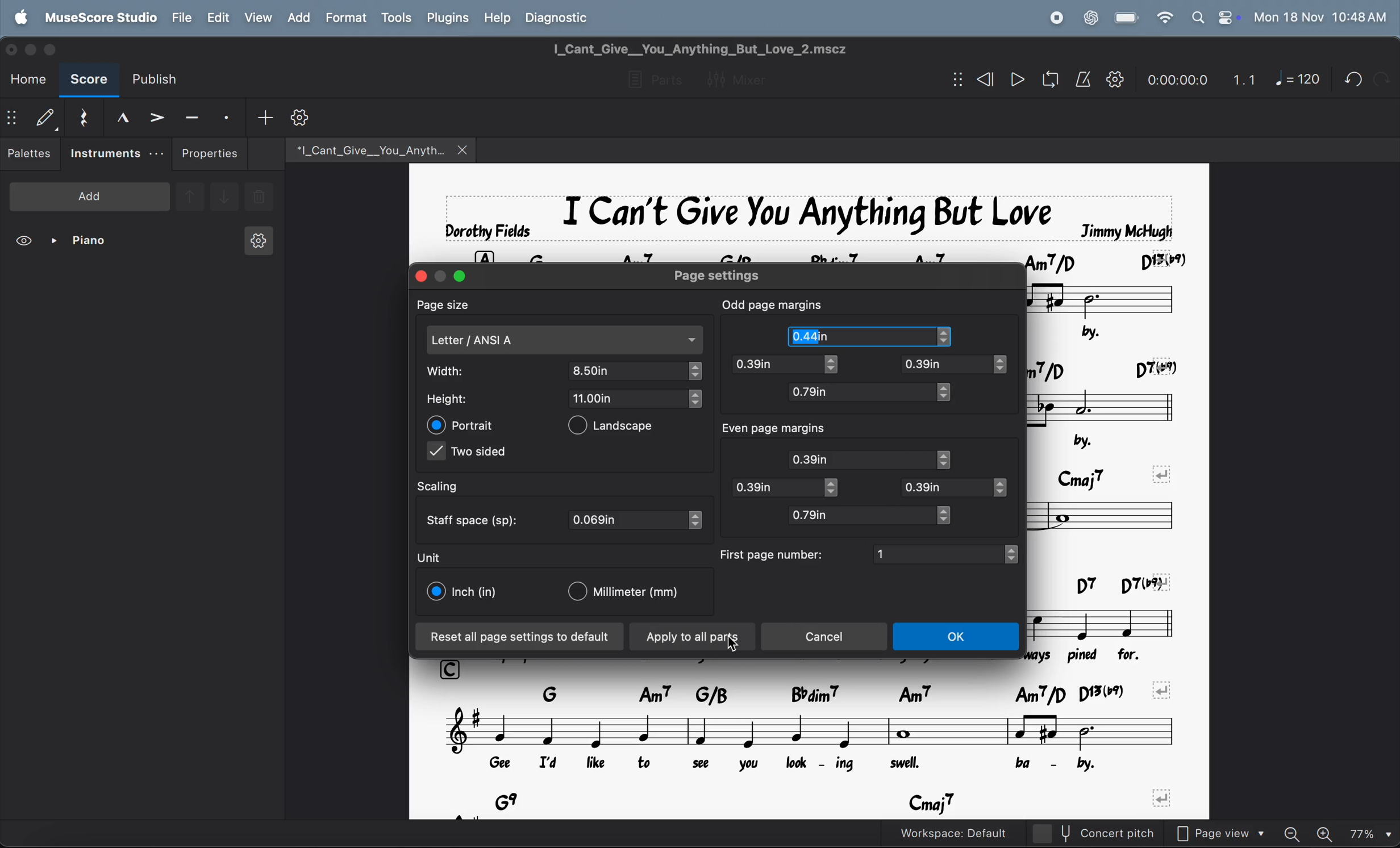 The image size is (1400, 848). Describe the element at coordinates (1084, 80) in the screenshot. I see `metronome` at that location.